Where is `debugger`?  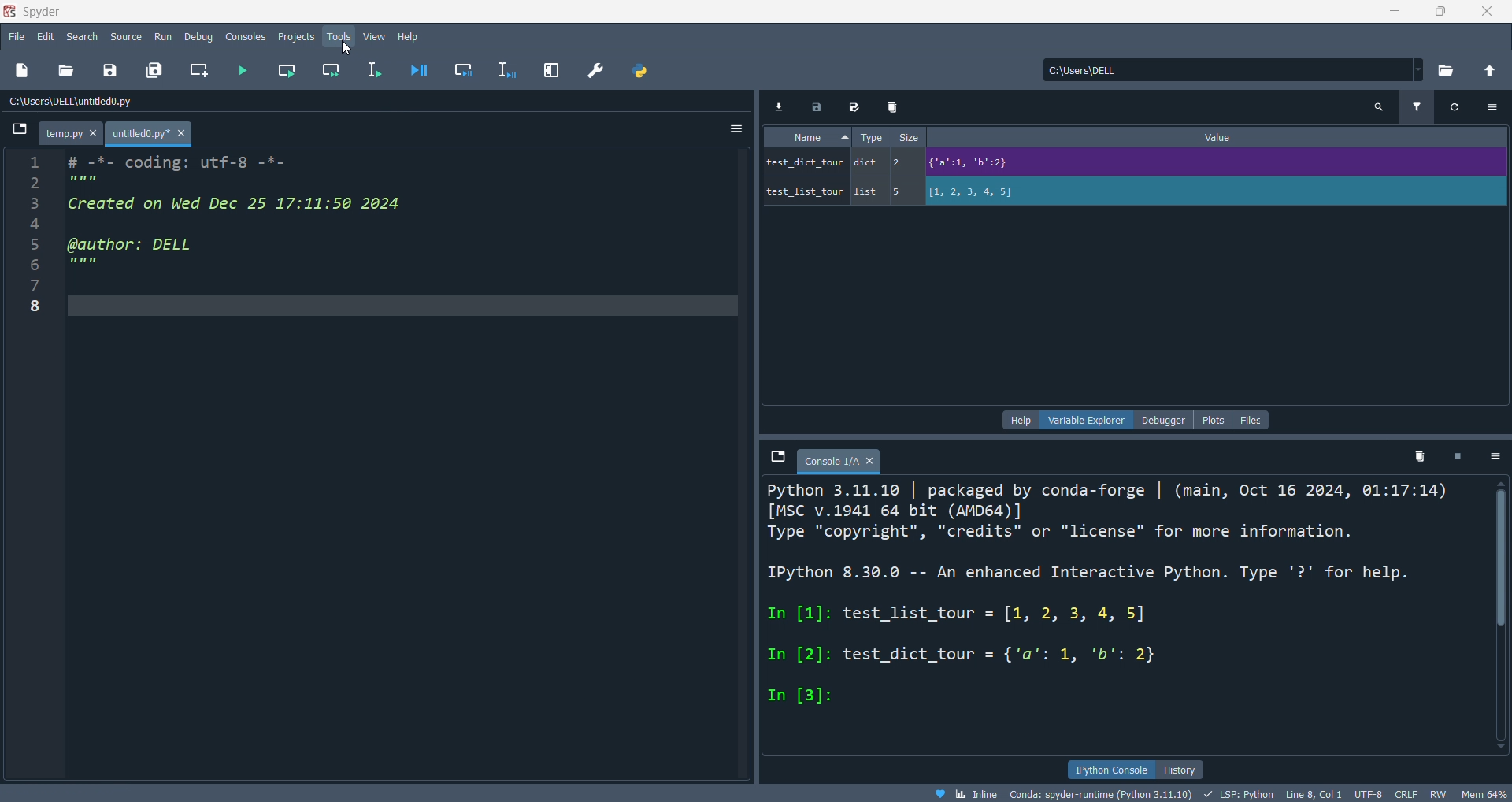 debugger is located at coordinates (1169, 419).